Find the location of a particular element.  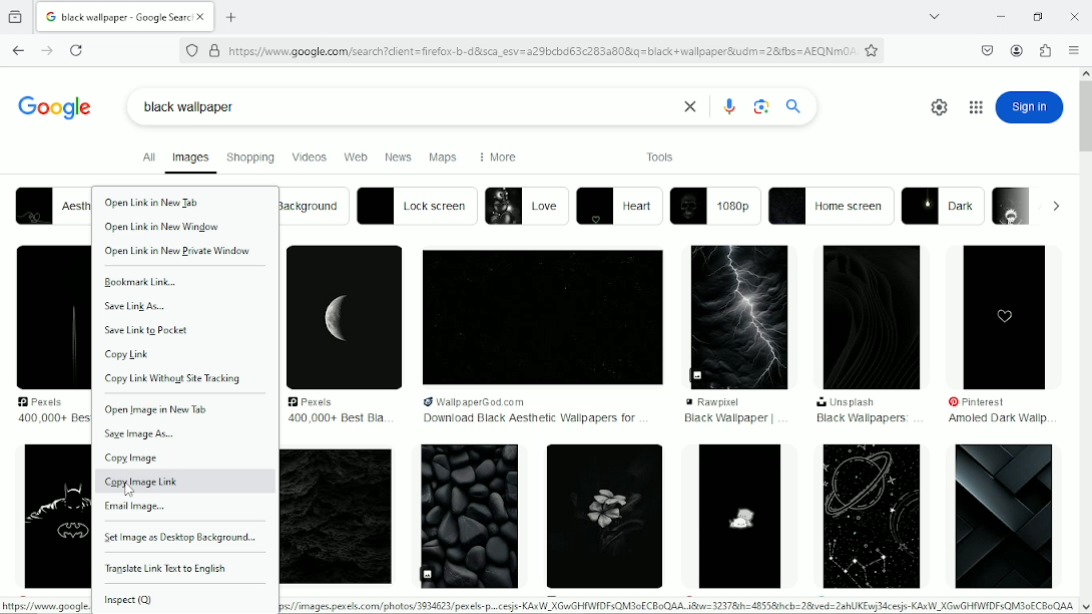

wallp apergod.com is located at coordinates (502, 401).